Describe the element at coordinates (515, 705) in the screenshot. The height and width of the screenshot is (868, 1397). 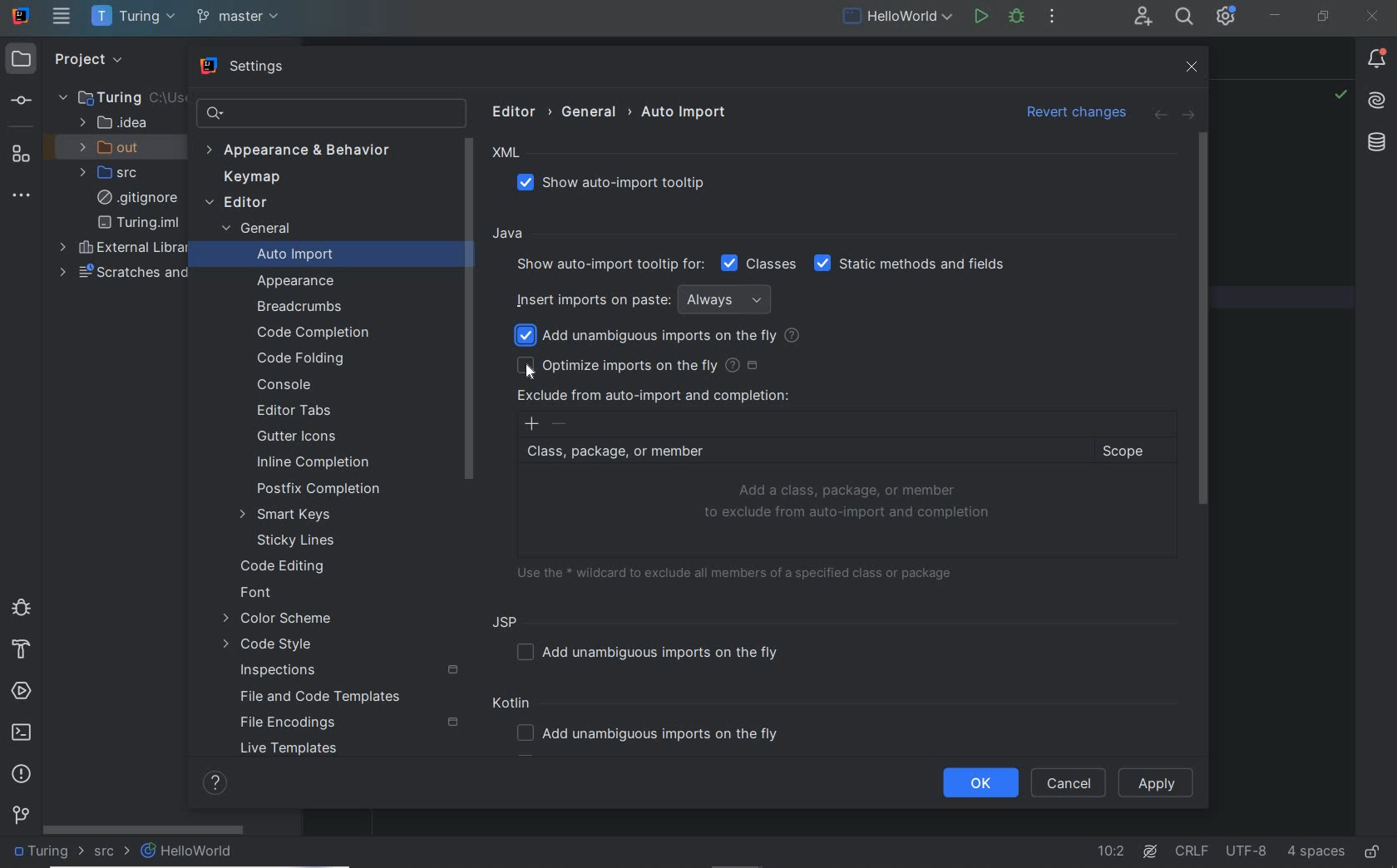
I see `KOTLIN` at that location.